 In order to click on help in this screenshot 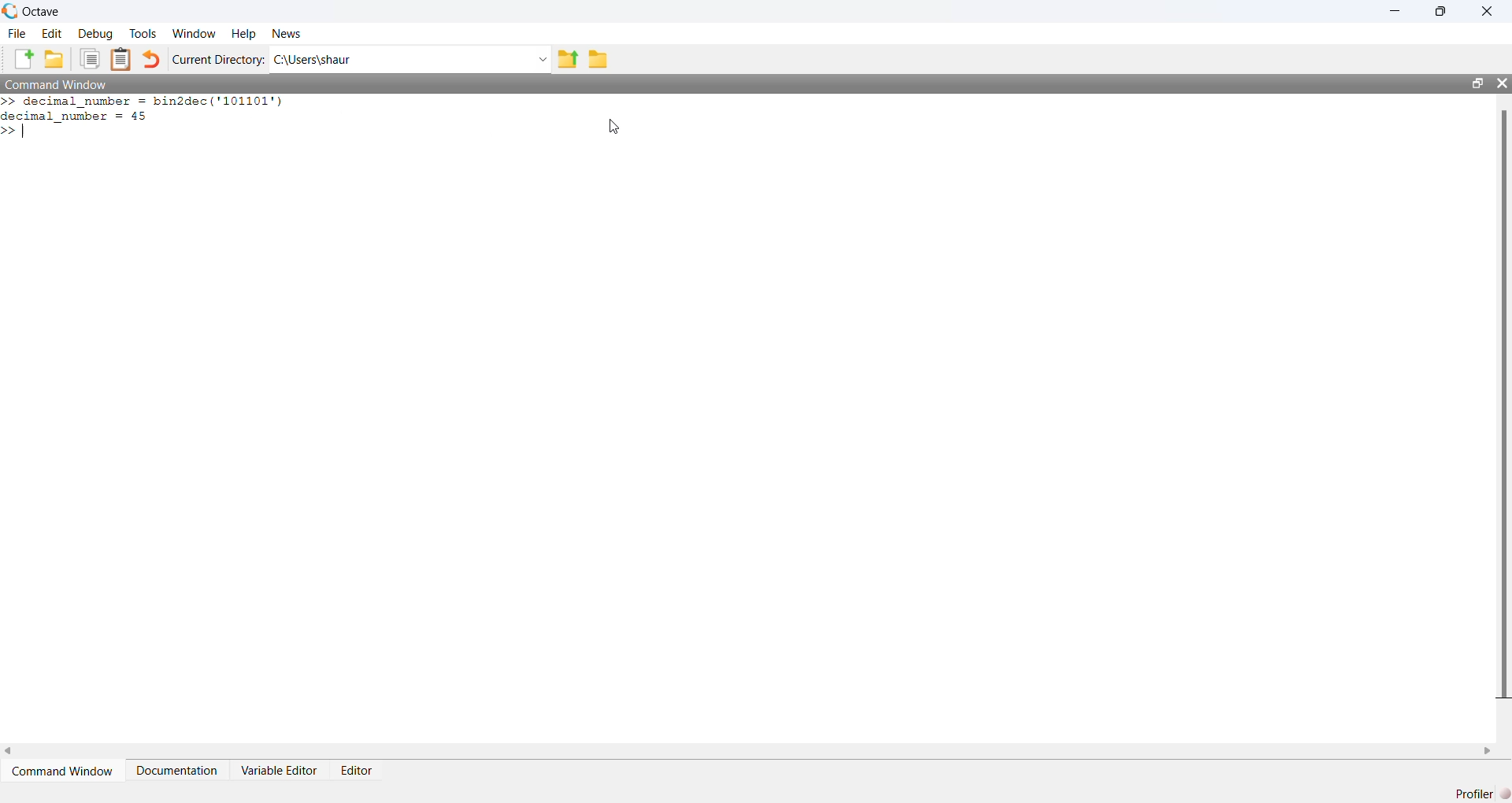, I will do `click(243, 35)`.